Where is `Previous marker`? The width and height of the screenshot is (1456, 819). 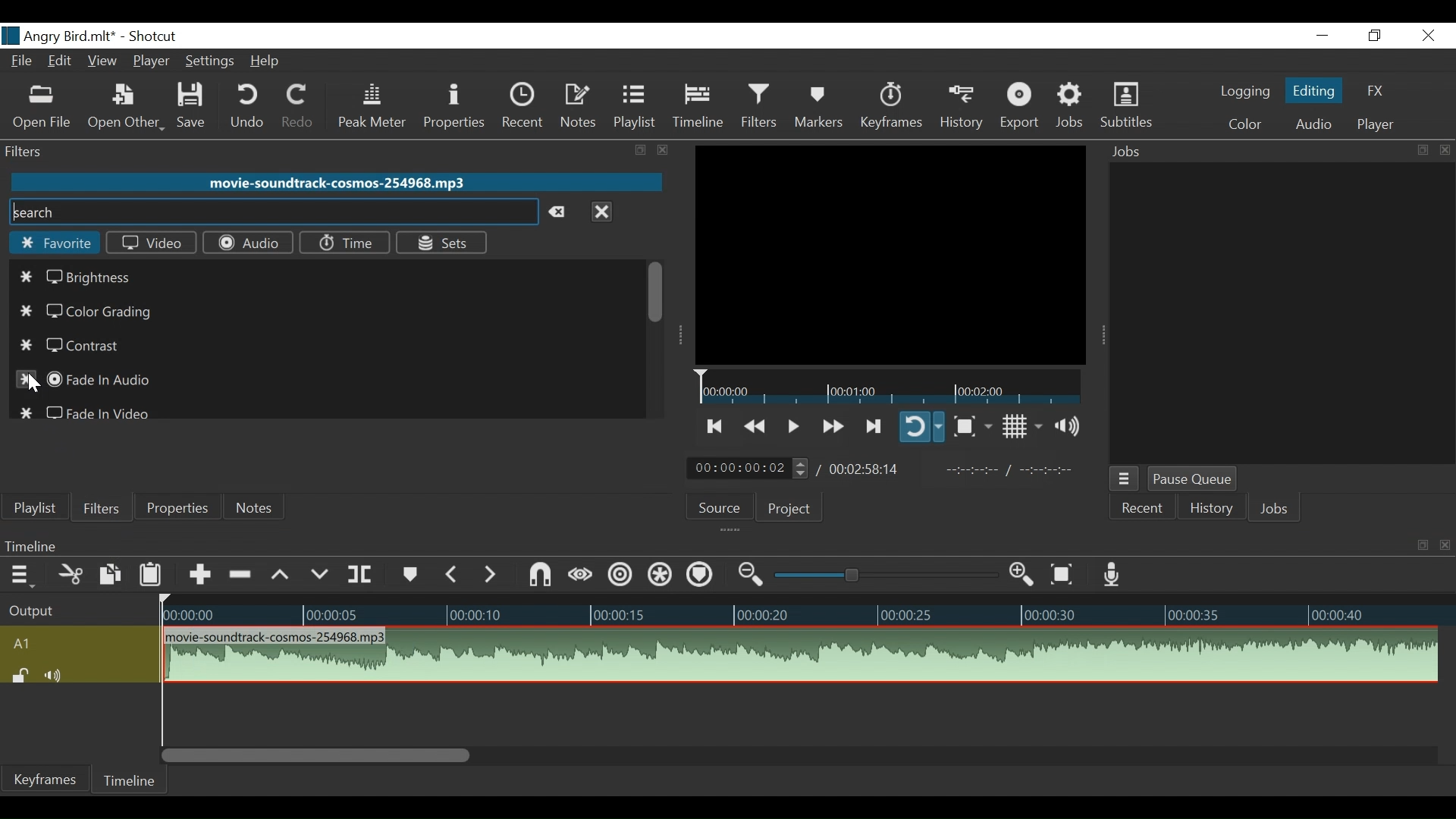
Previous marker is located at coordinates (453, 573).